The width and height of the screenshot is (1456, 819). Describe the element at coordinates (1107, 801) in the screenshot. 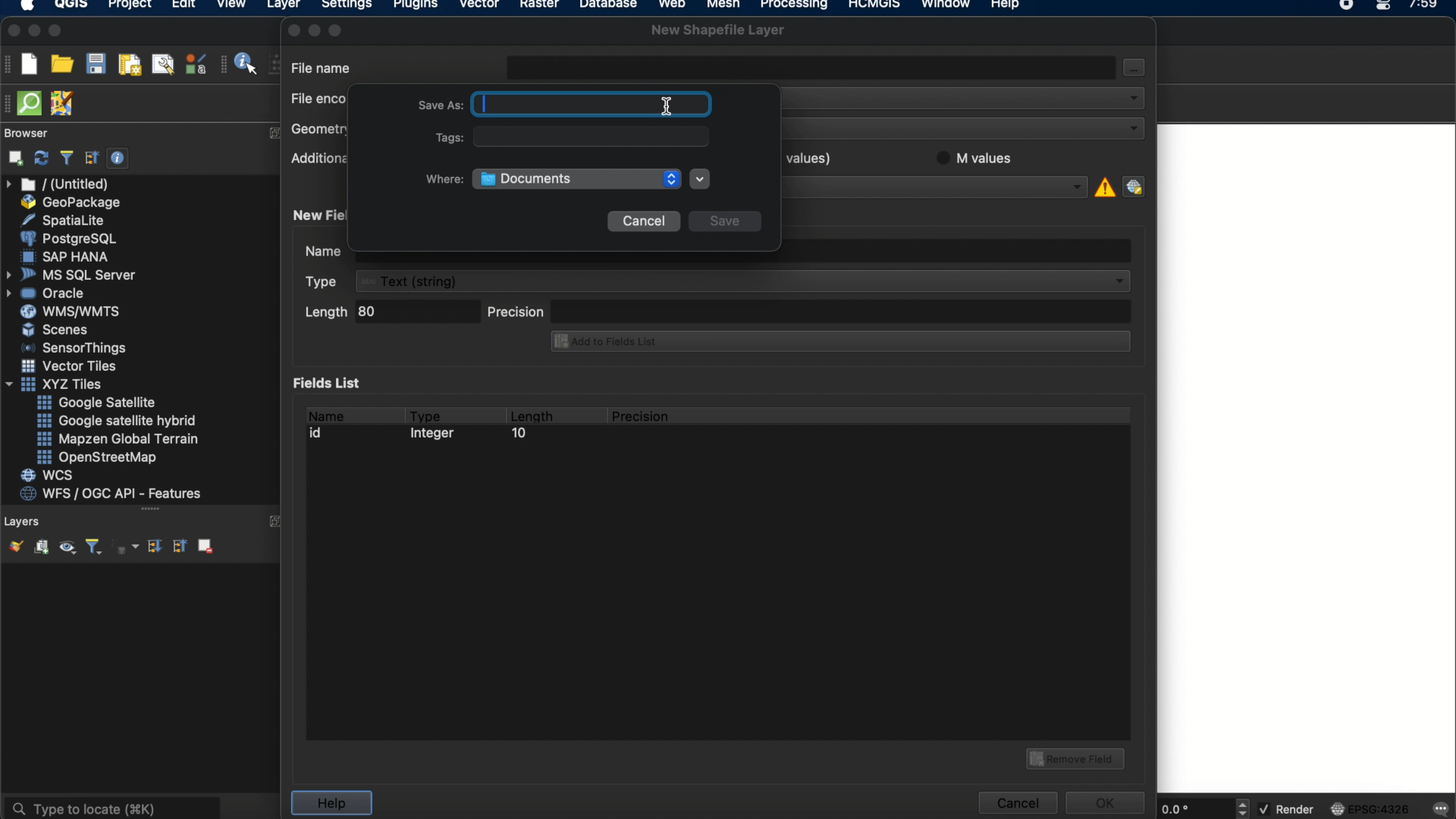

I see `ok` at that location.